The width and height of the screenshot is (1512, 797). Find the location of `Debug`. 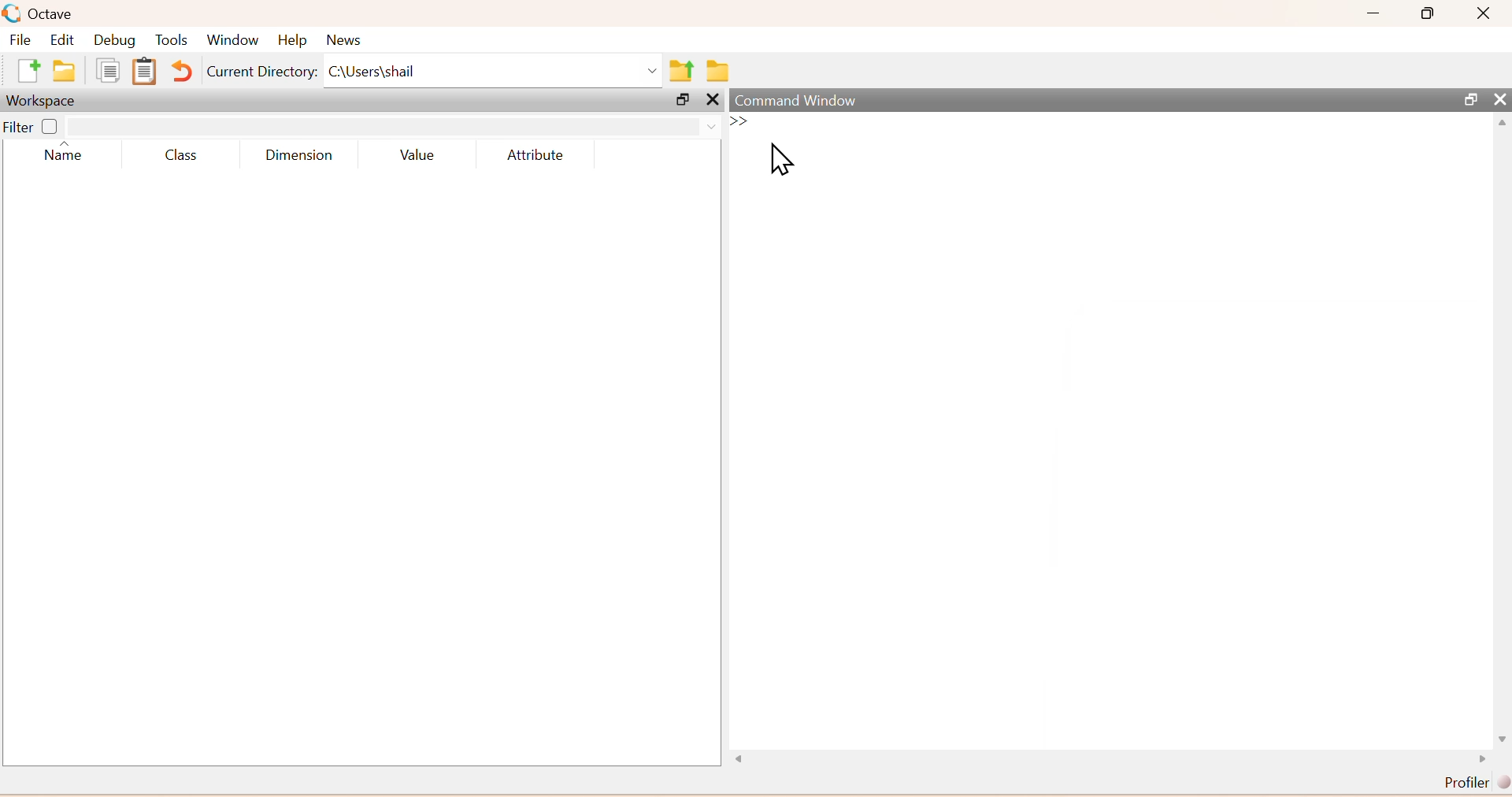

Debug is located at coordinates (113, 42).